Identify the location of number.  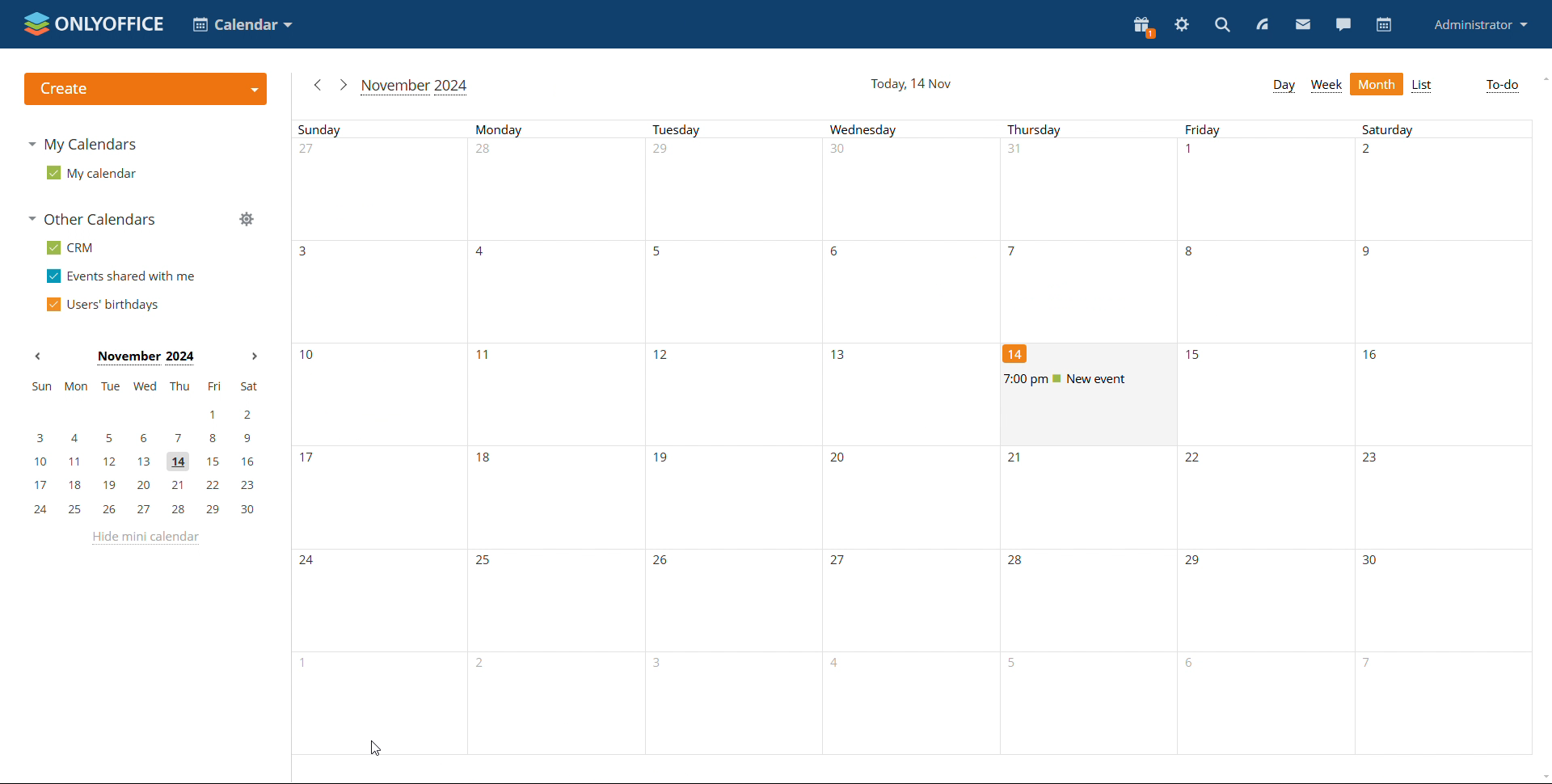
(1374, 154).